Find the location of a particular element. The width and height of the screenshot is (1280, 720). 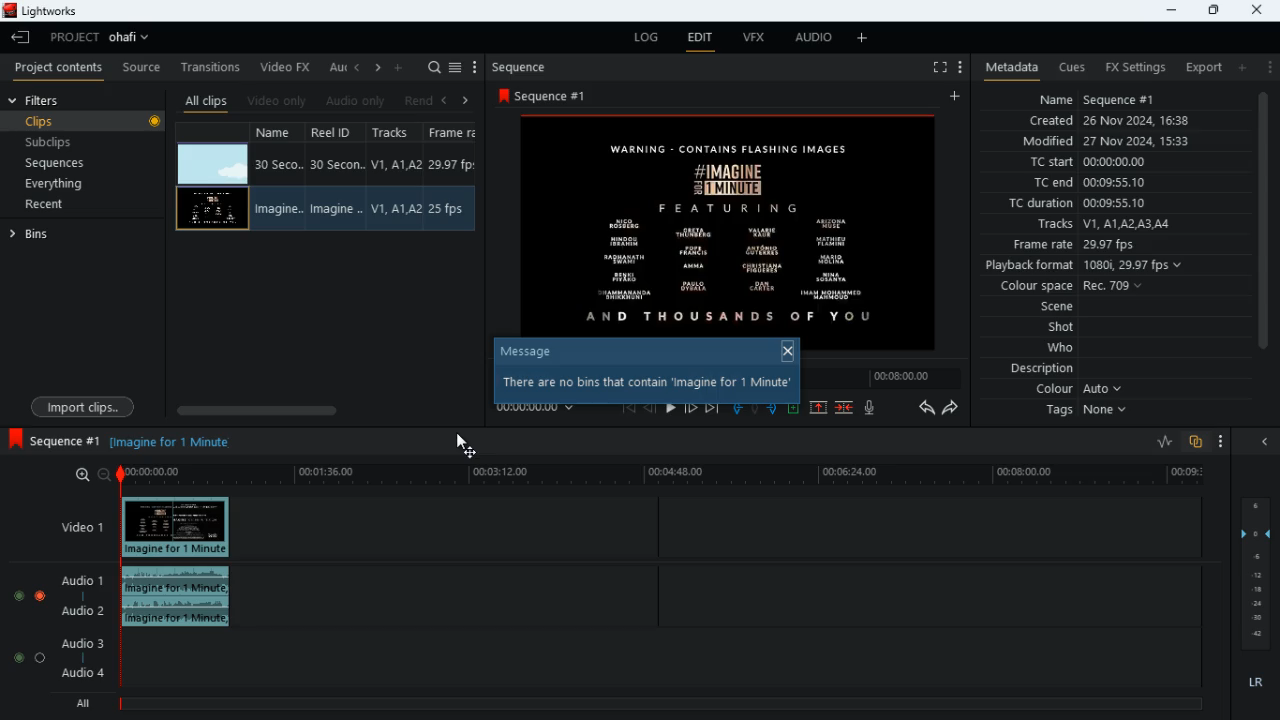

menu is located at coordinates (960, 65).